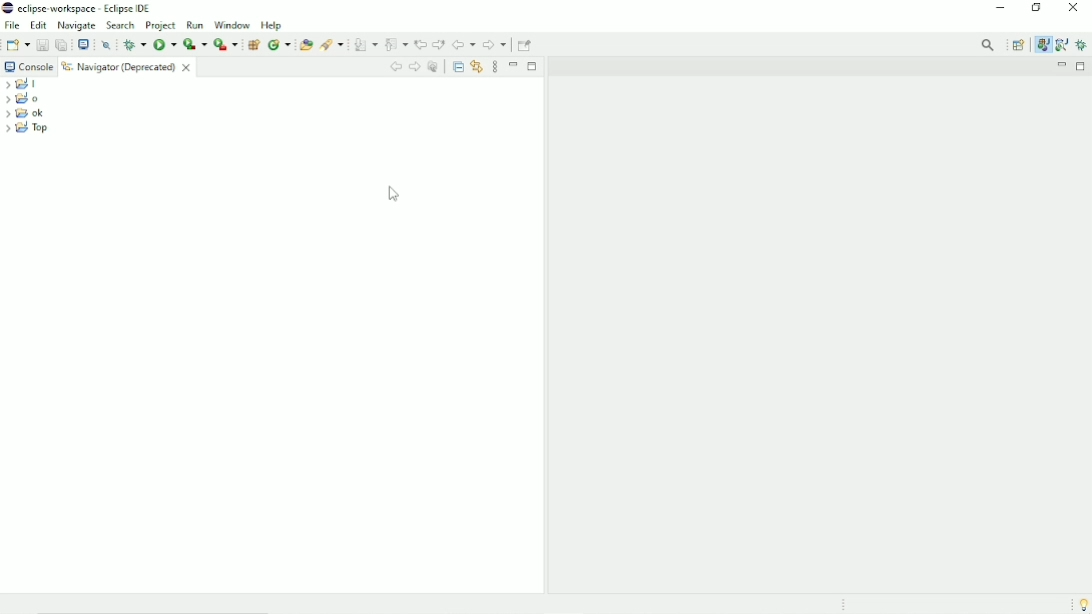 Image resolution: width=1092 pixels, height=614 pixels. Describe the element at coordinates (1081, 604) in the screenshot. I see `Tip` at that location.